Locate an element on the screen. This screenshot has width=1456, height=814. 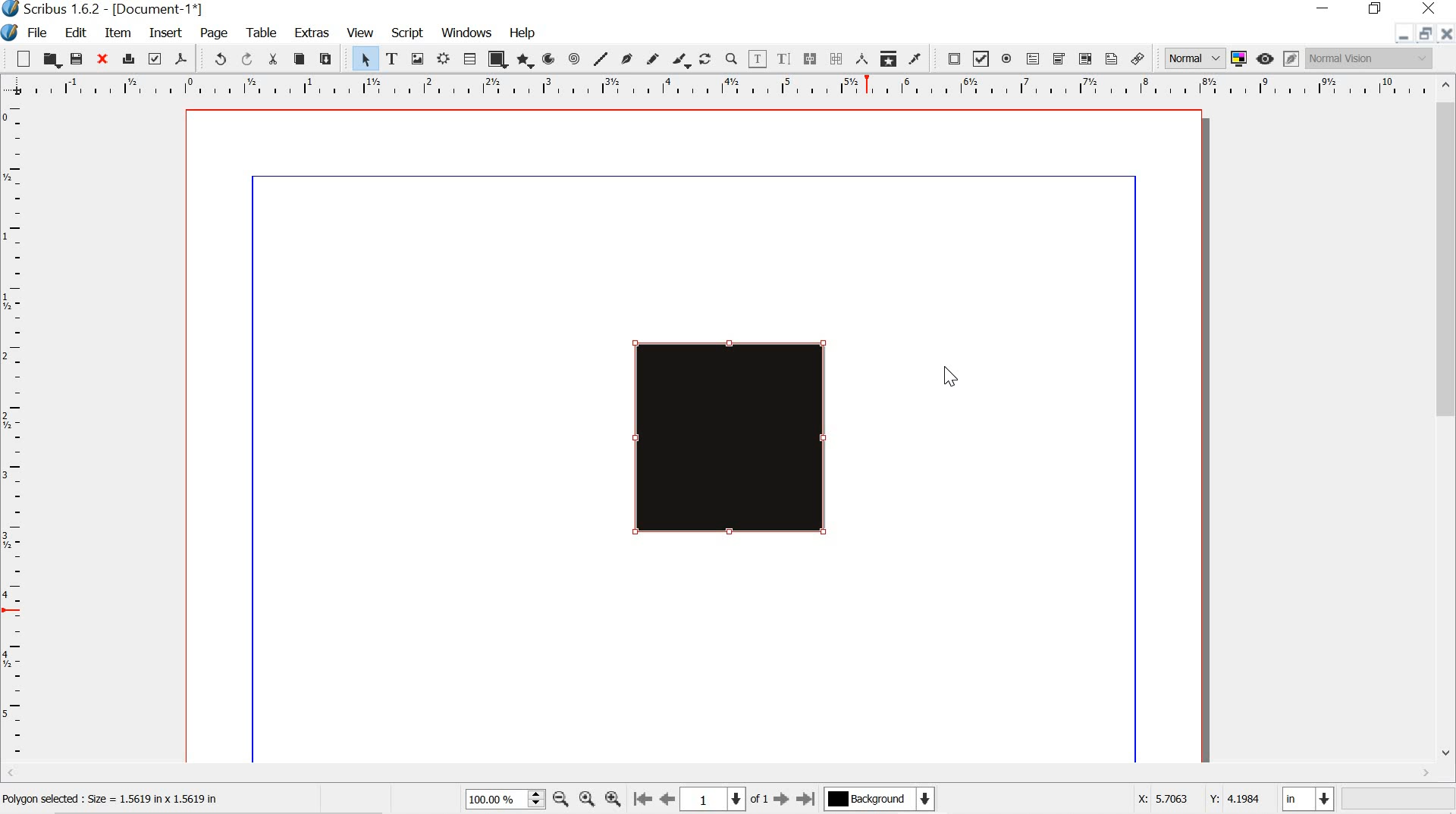
in is located at coordinates (1309, 799).